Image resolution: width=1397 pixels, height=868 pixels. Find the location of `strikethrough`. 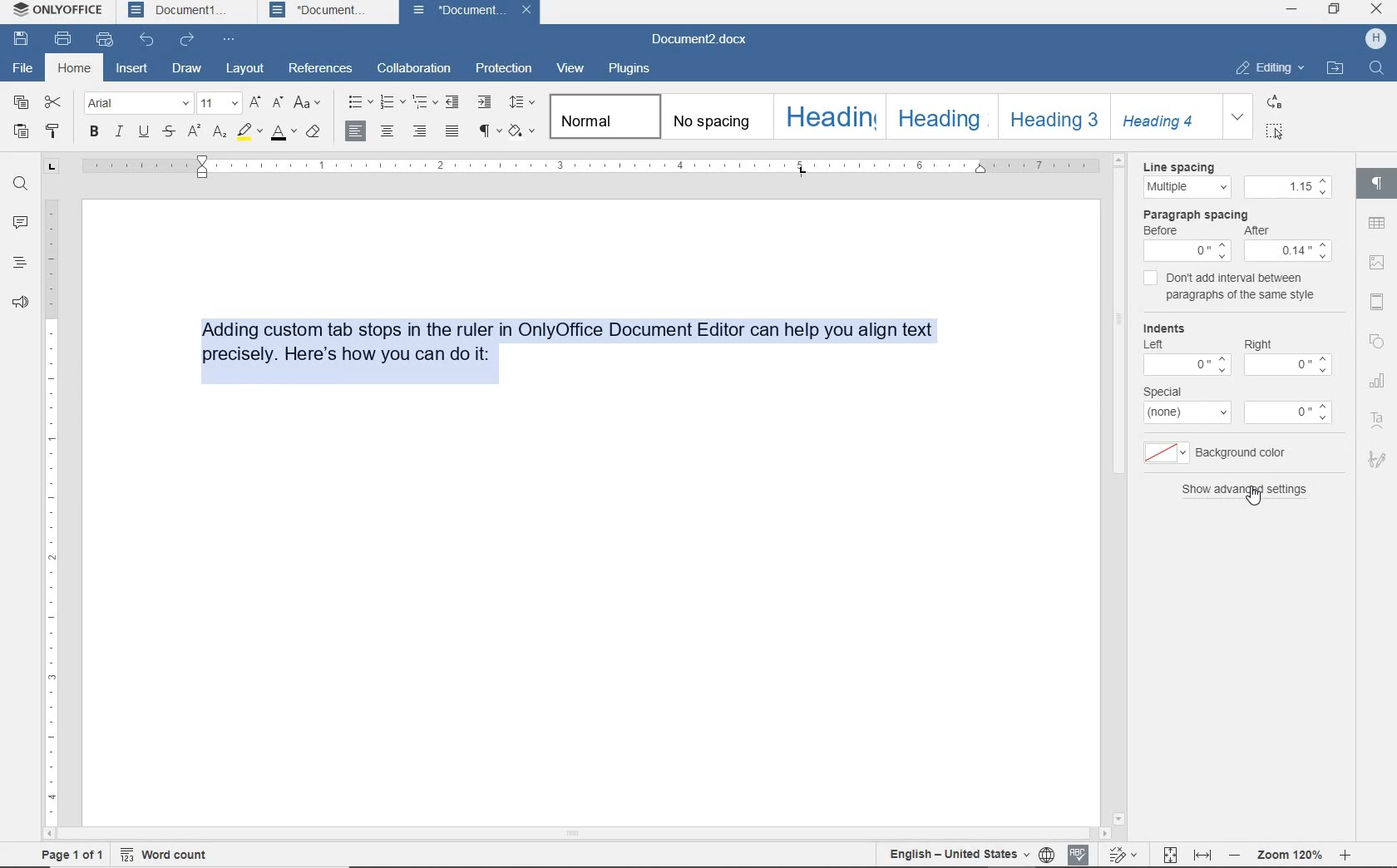

strikethrough is located at coordinates (170, 132).